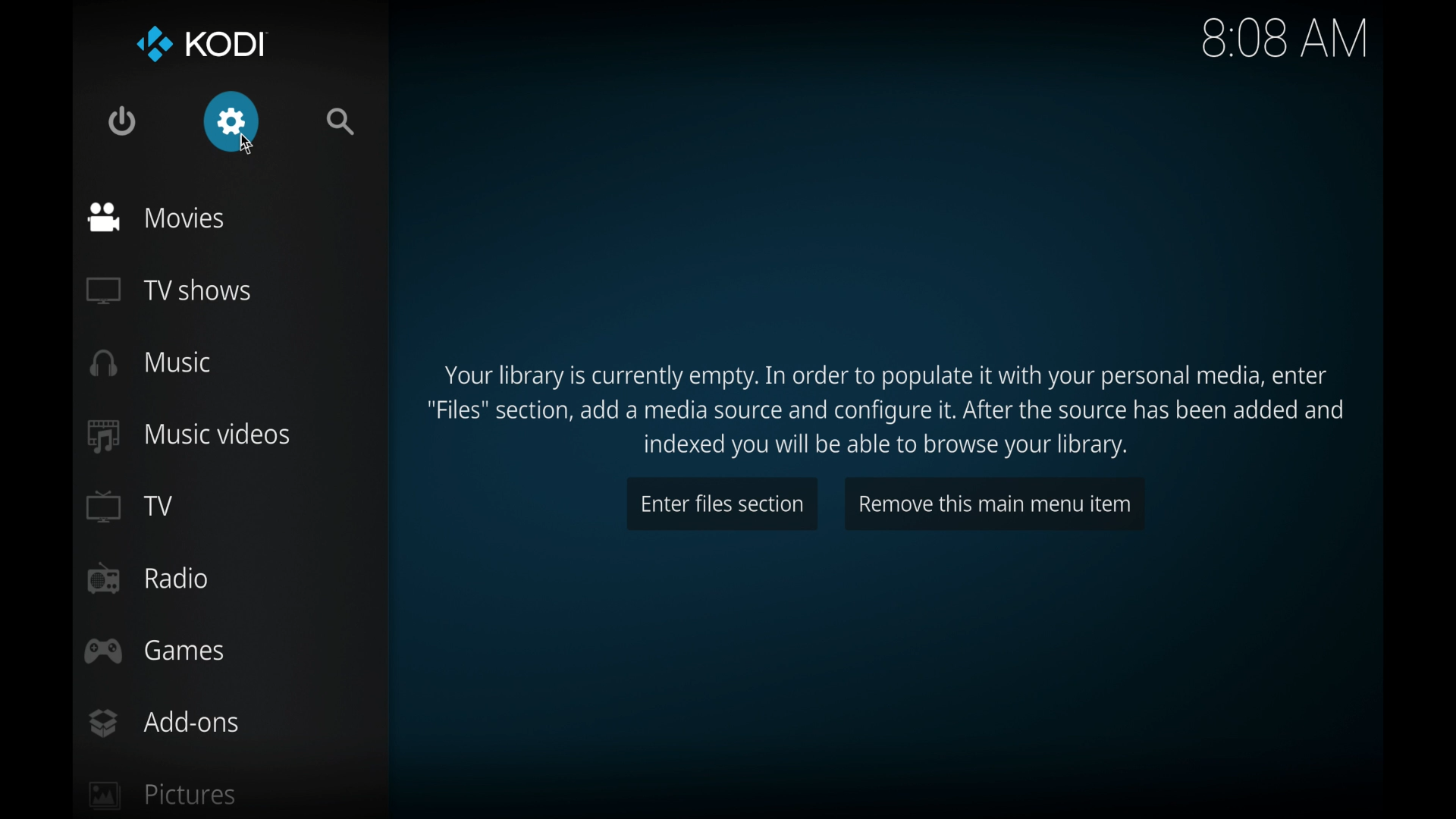 This screenshot has height=819, width=1456. Describe the element at coordinates (200, 45) in the screenshot. I see `kodi` at that location.